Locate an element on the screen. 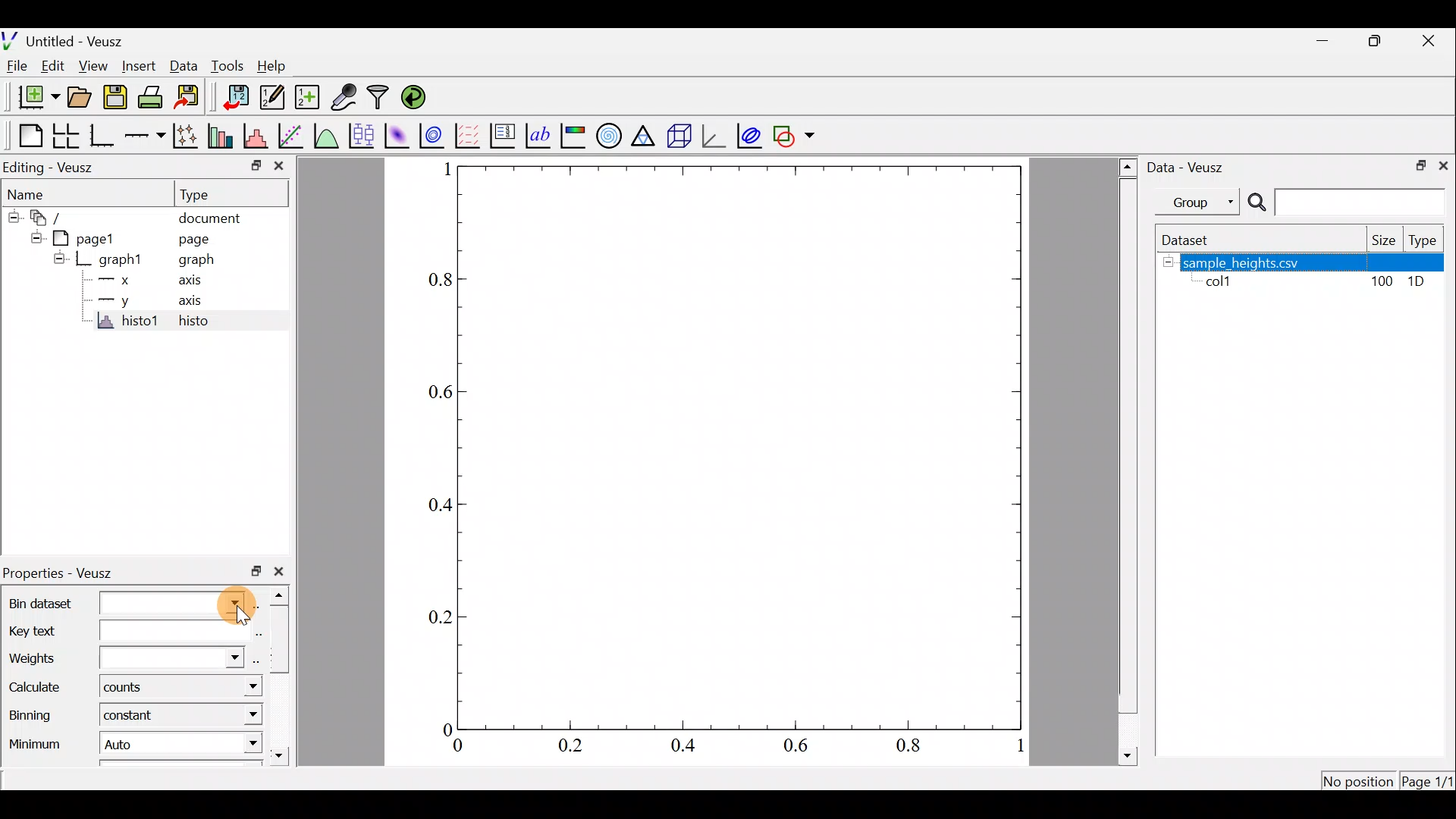 The height and width of the screenshot is (819, 1456). File is located at coordinates (19, 67).